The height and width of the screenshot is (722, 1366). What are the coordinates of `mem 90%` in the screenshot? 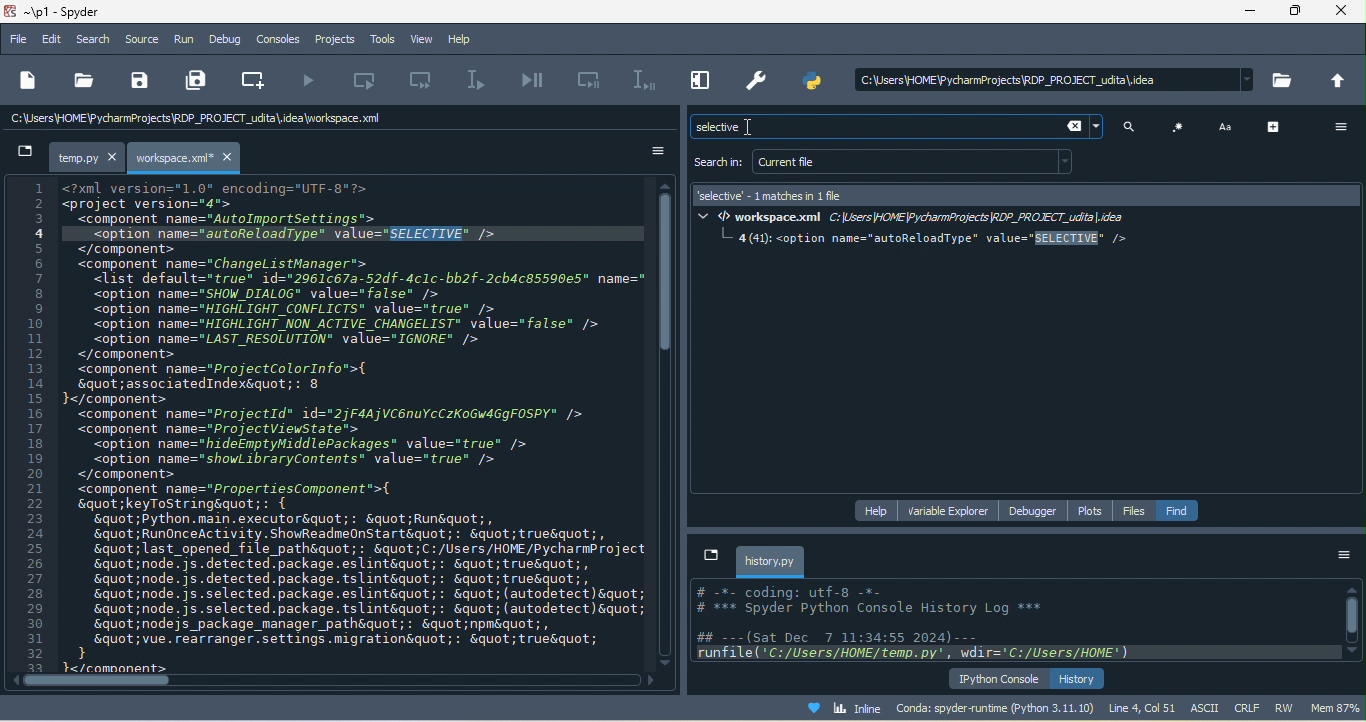 It's located at (1336, 707).